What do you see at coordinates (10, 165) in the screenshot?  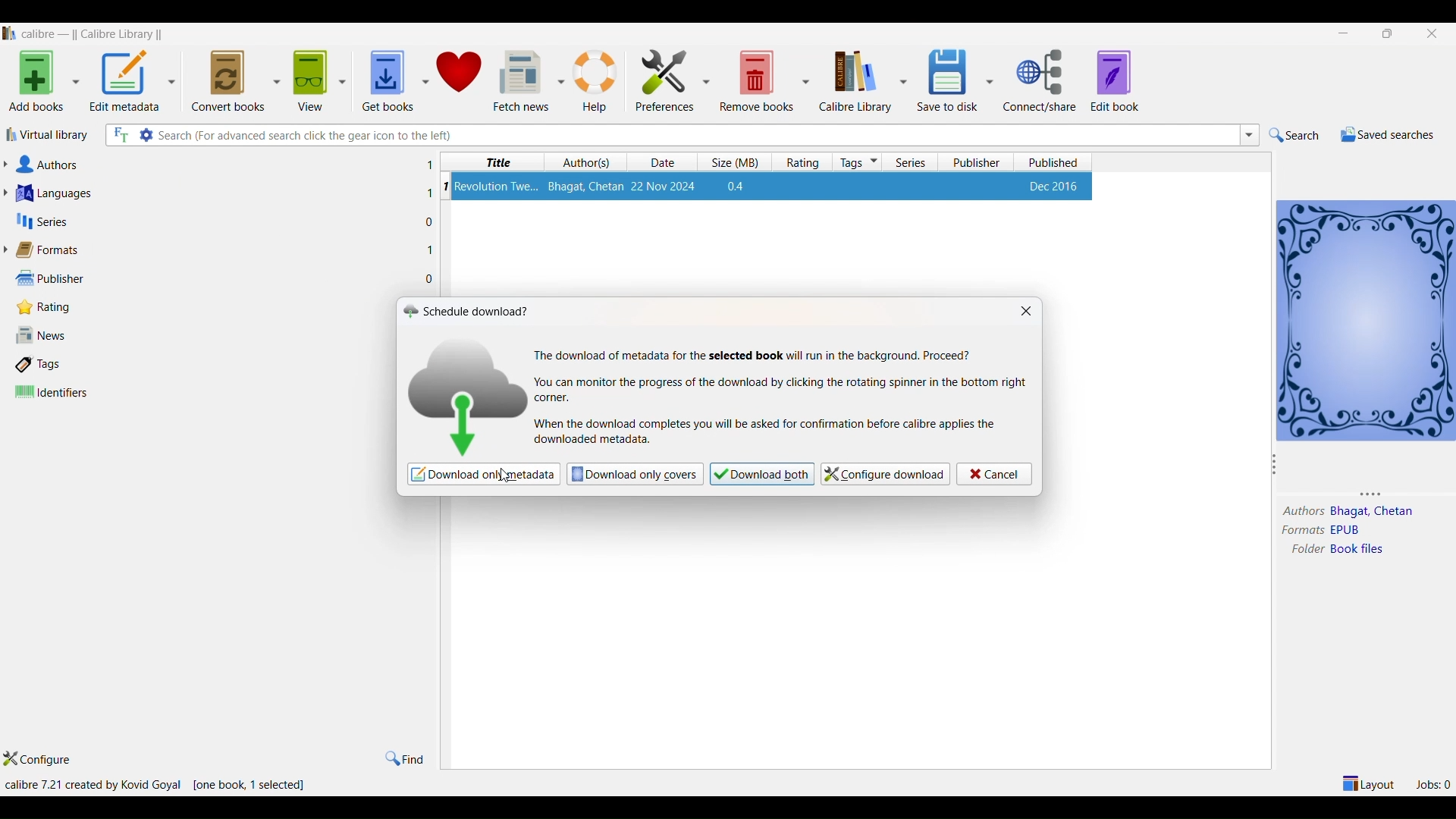 I see `Author list dropdown button` at bounding box center [10, 165].